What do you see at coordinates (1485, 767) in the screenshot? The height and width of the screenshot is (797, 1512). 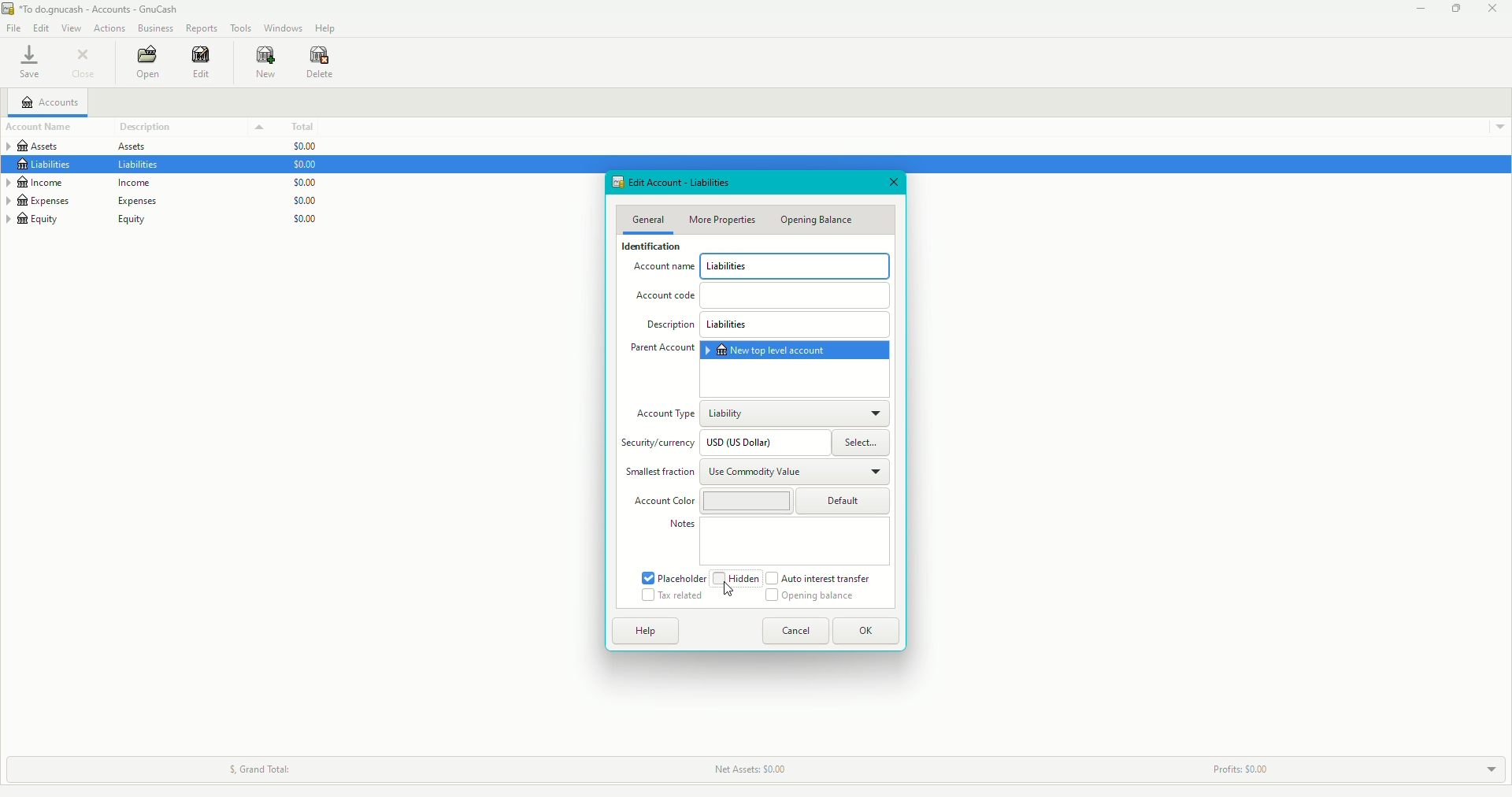 I see `Drop down` at bounding box center [1485, 767].